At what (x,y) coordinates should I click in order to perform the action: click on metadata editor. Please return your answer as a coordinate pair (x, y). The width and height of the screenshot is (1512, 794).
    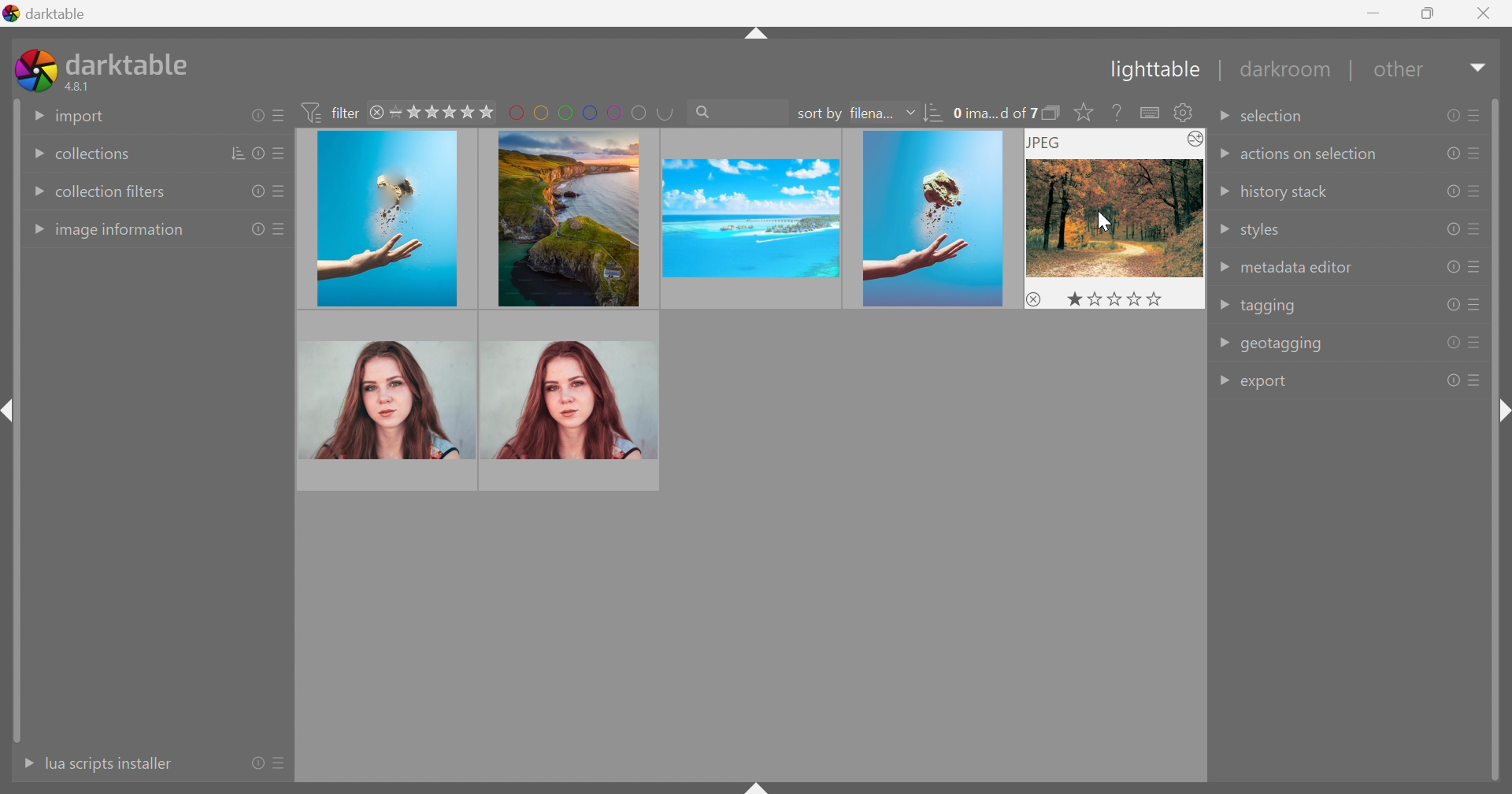
    Looking at the image, I should click on (1305, 267).